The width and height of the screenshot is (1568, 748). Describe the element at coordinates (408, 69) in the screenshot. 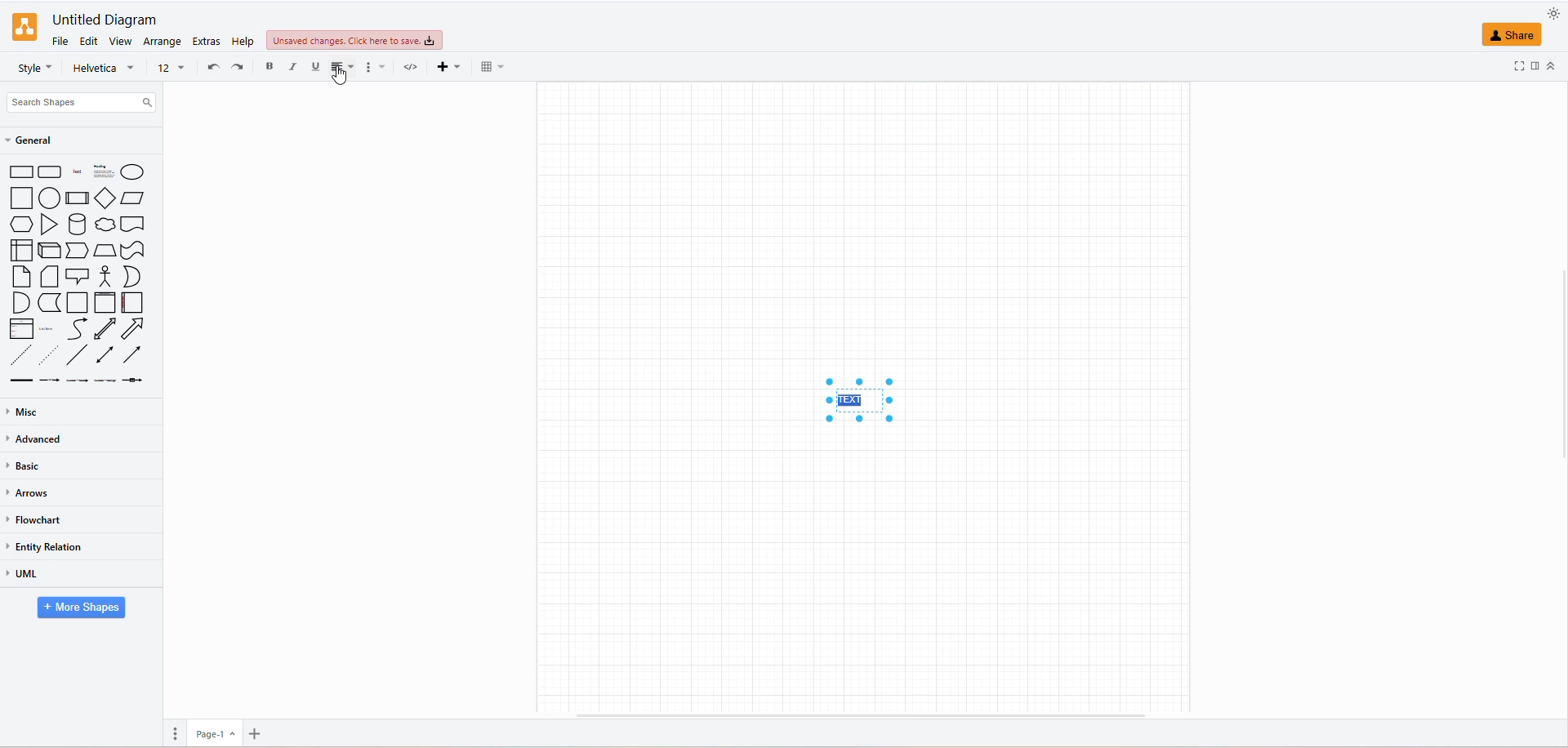

I see `html` at that location.